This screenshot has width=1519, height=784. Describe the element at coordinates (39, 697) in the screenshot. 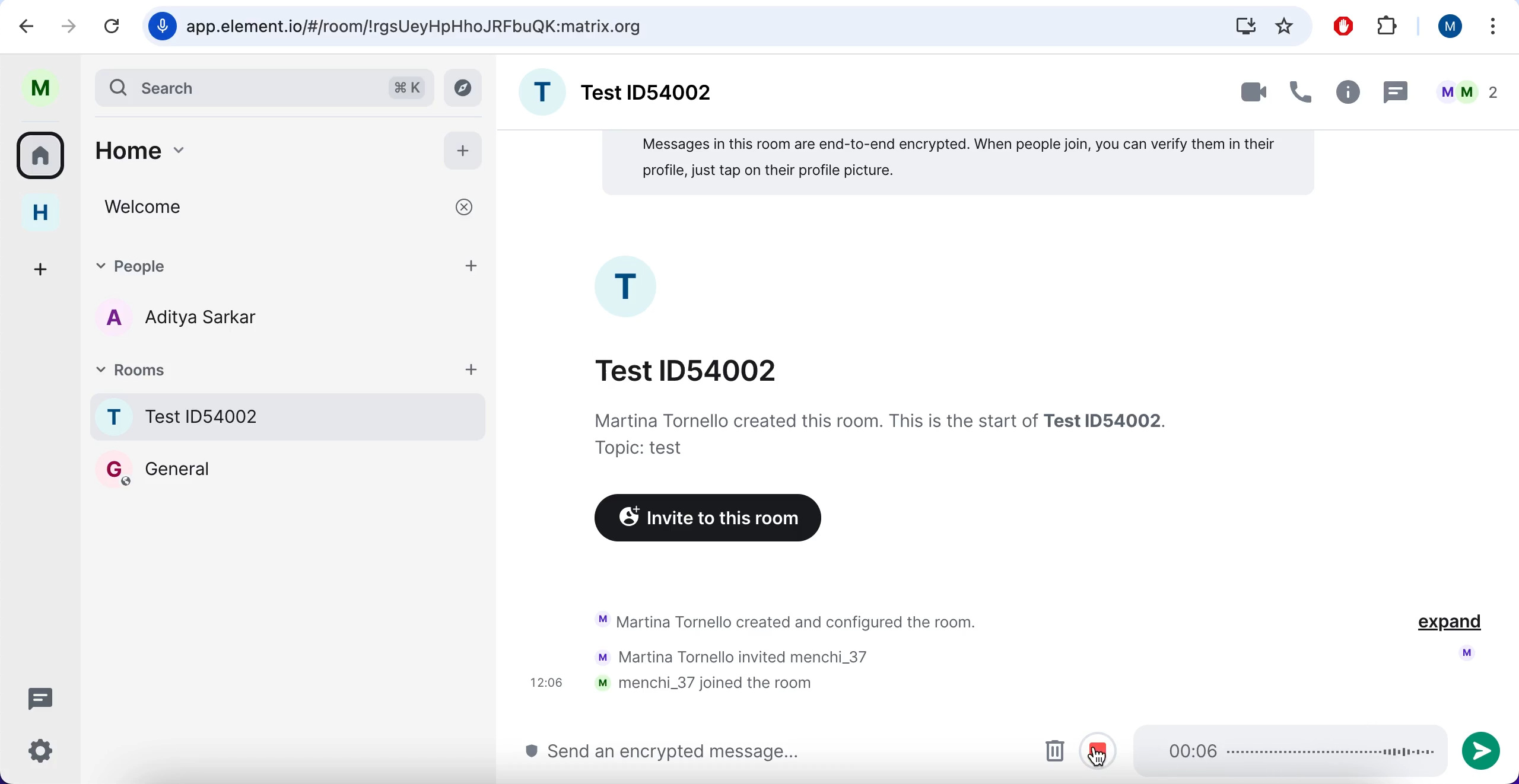

I see `threads` at that location.